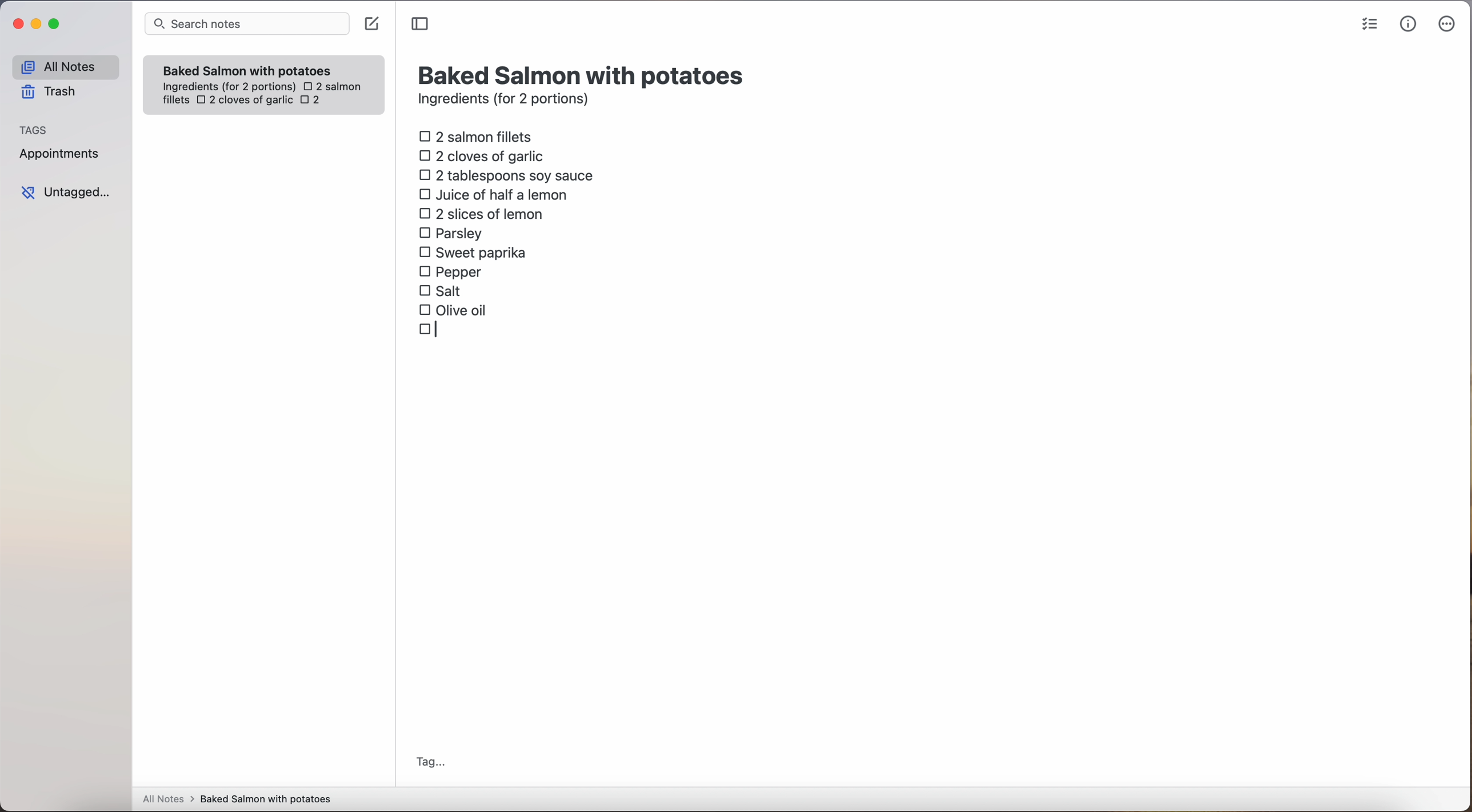 This screenshot has width=1472, height=812. I want to click on ingredients (for 2 portions), so click(507, 101).